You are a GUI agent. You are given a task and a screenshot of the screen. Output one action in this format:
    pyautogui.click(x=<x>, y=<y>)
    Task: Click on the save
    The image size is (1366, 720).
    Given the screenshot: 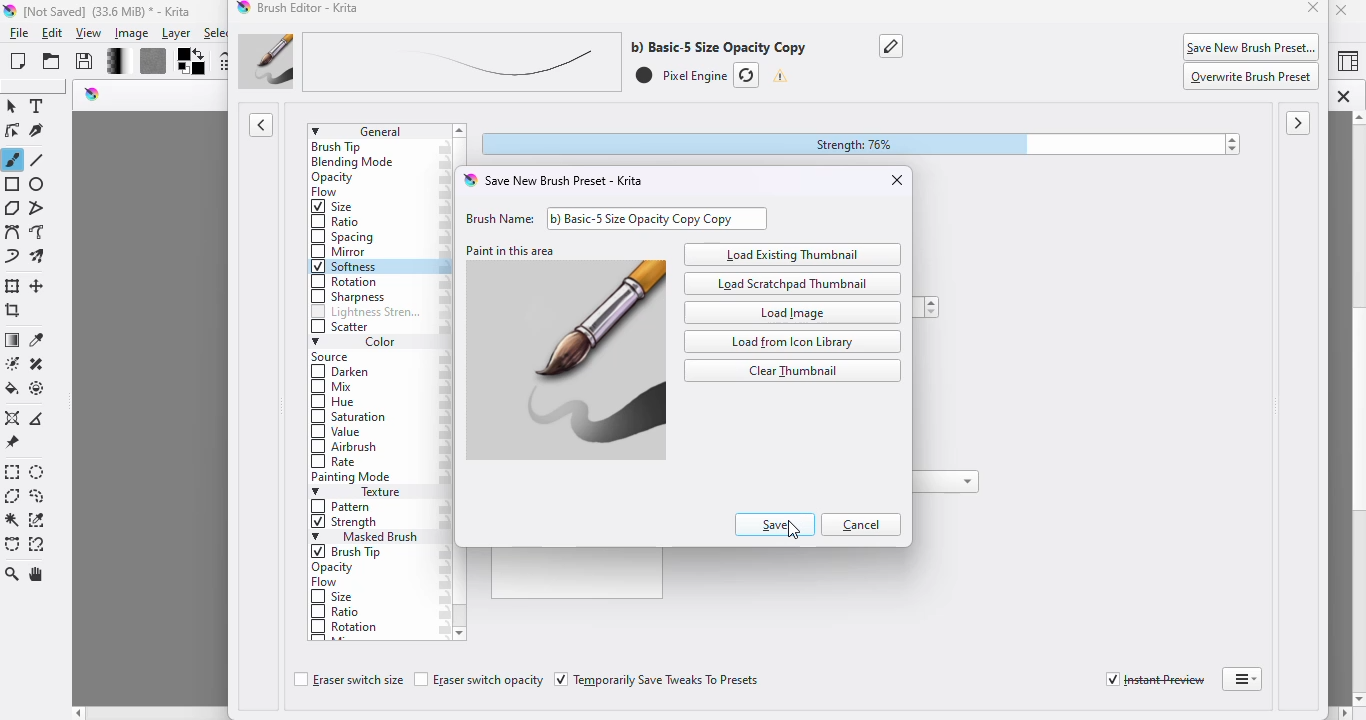 What is the action you would take?
    pyautogui.click(x=773, y=525)
    